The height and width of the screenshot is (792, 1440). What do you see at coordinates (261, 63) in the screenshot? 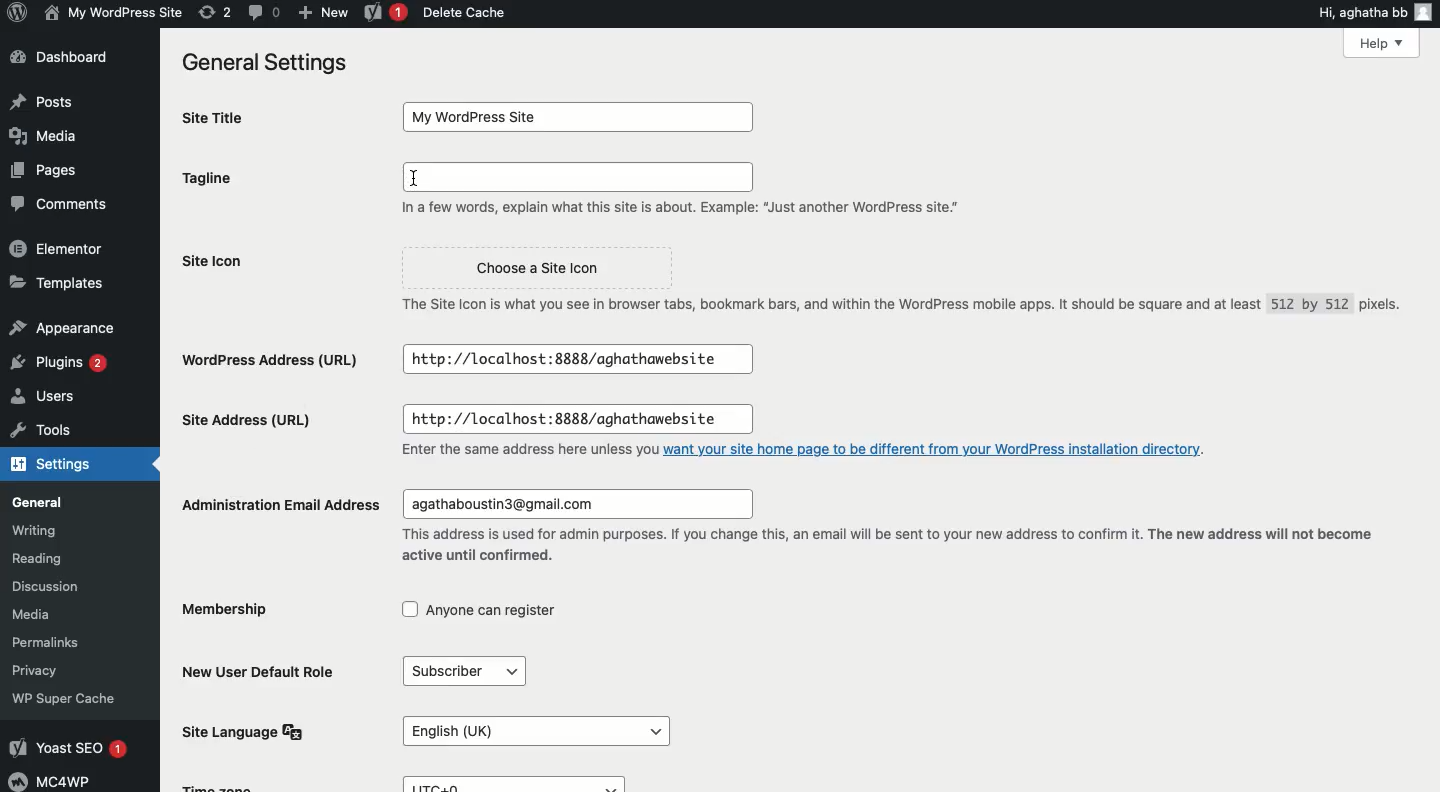
I see `General settings` at bounding box center [261, 63].